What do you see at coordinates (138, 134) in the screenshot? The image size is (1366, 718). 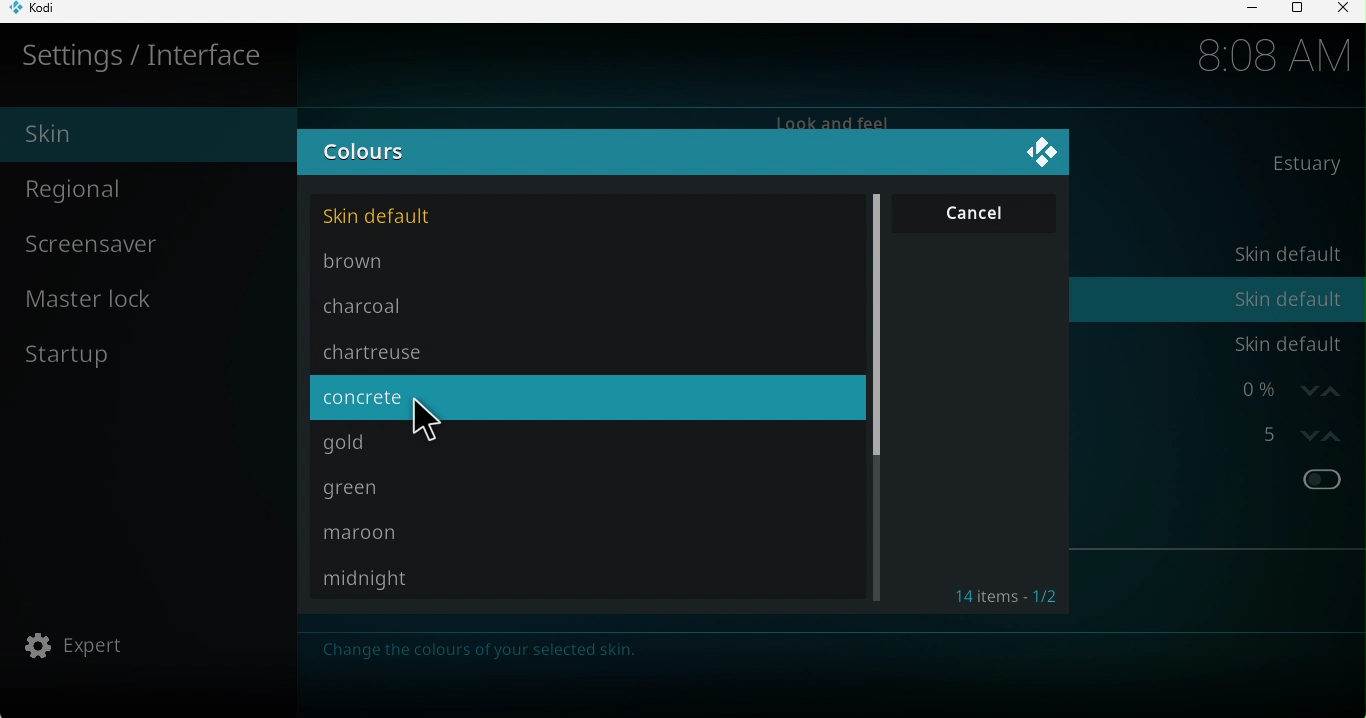 I see `Skin` at bounding box center [138, 134].